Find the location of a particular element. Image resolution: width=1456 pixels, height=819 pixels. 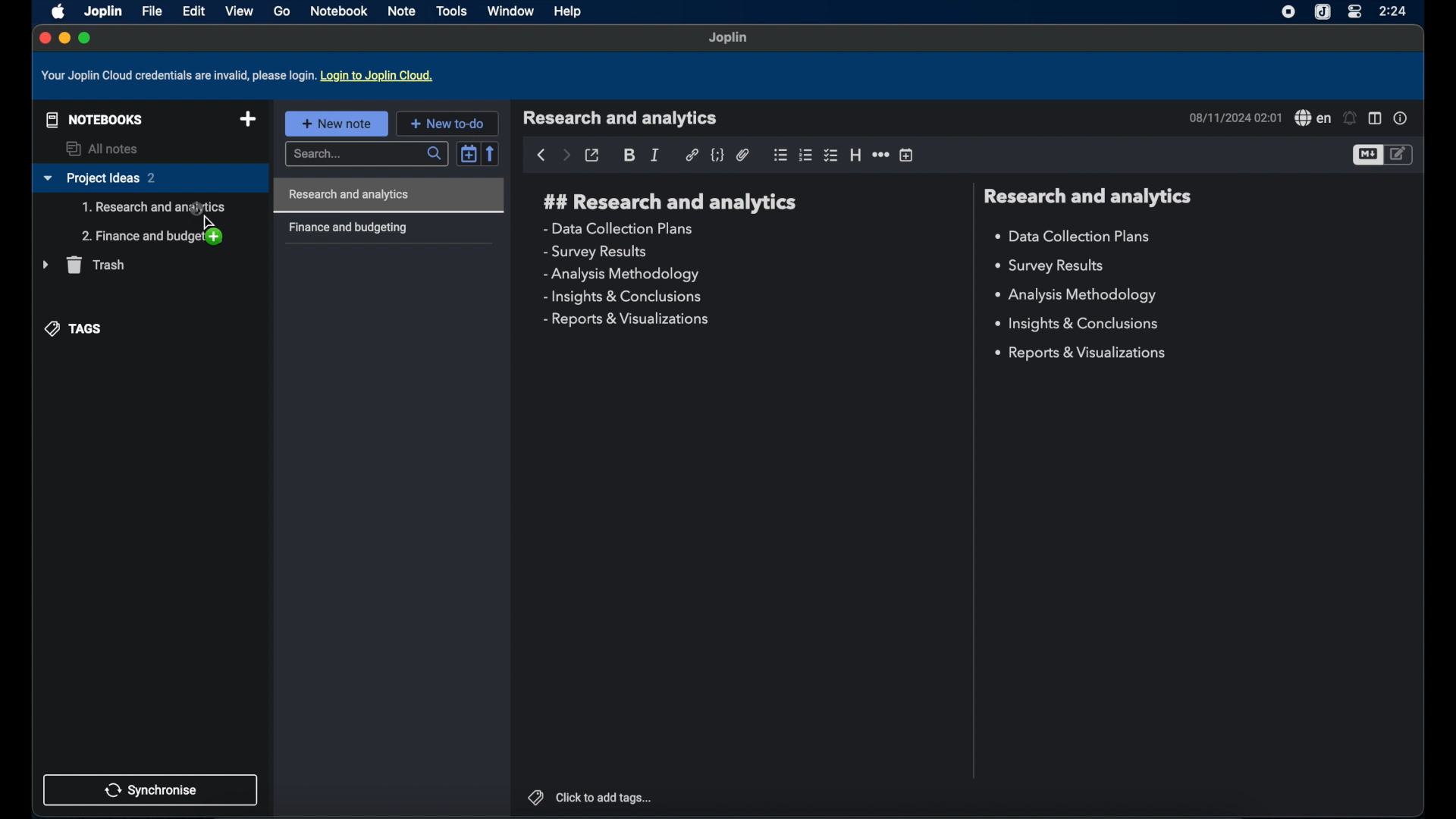

notebooks is located at coordinates (91, 118).